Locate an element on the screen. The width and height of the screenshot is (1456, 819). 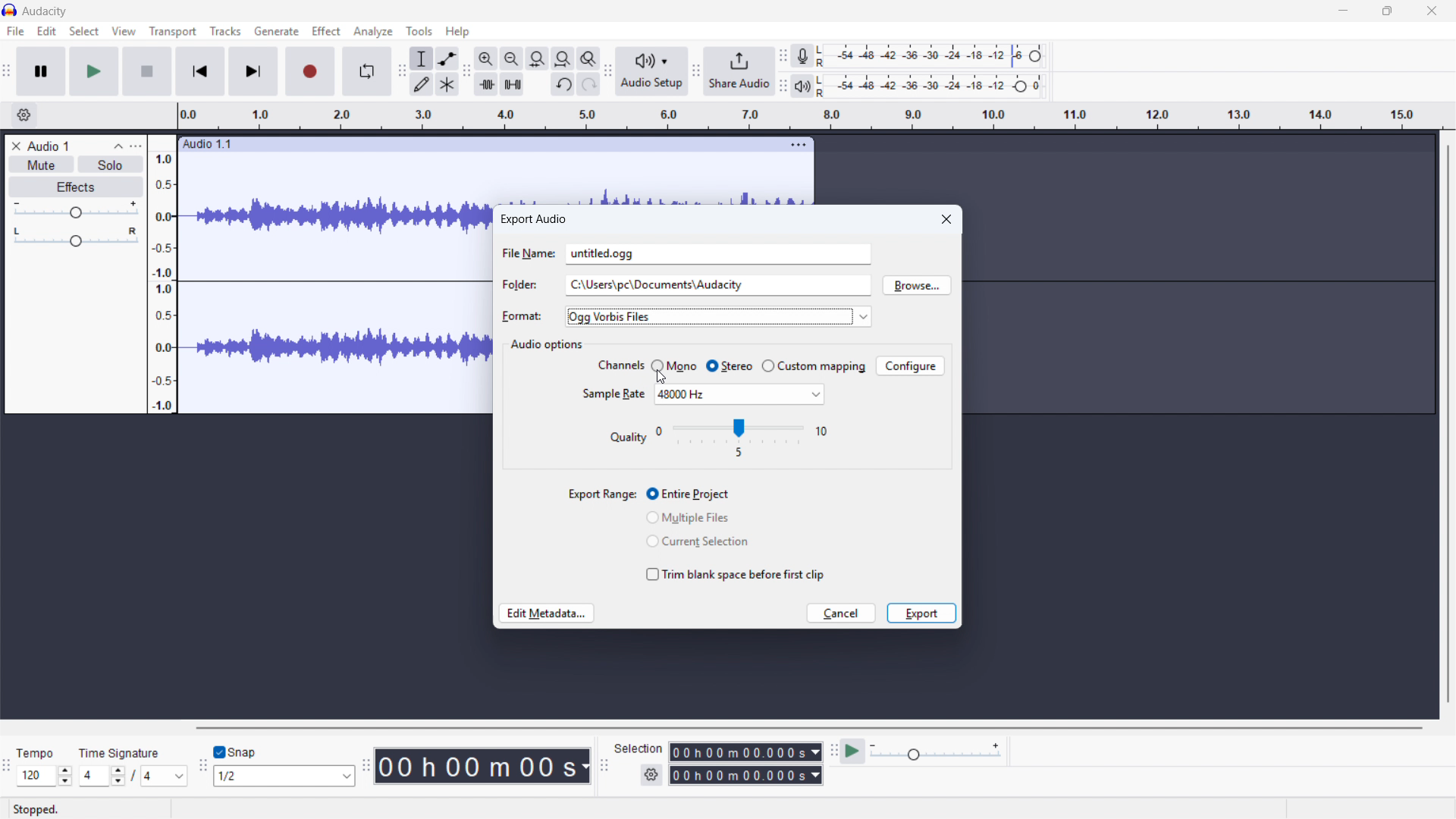
Selection toolbar  is located at coordinates (604, 764).